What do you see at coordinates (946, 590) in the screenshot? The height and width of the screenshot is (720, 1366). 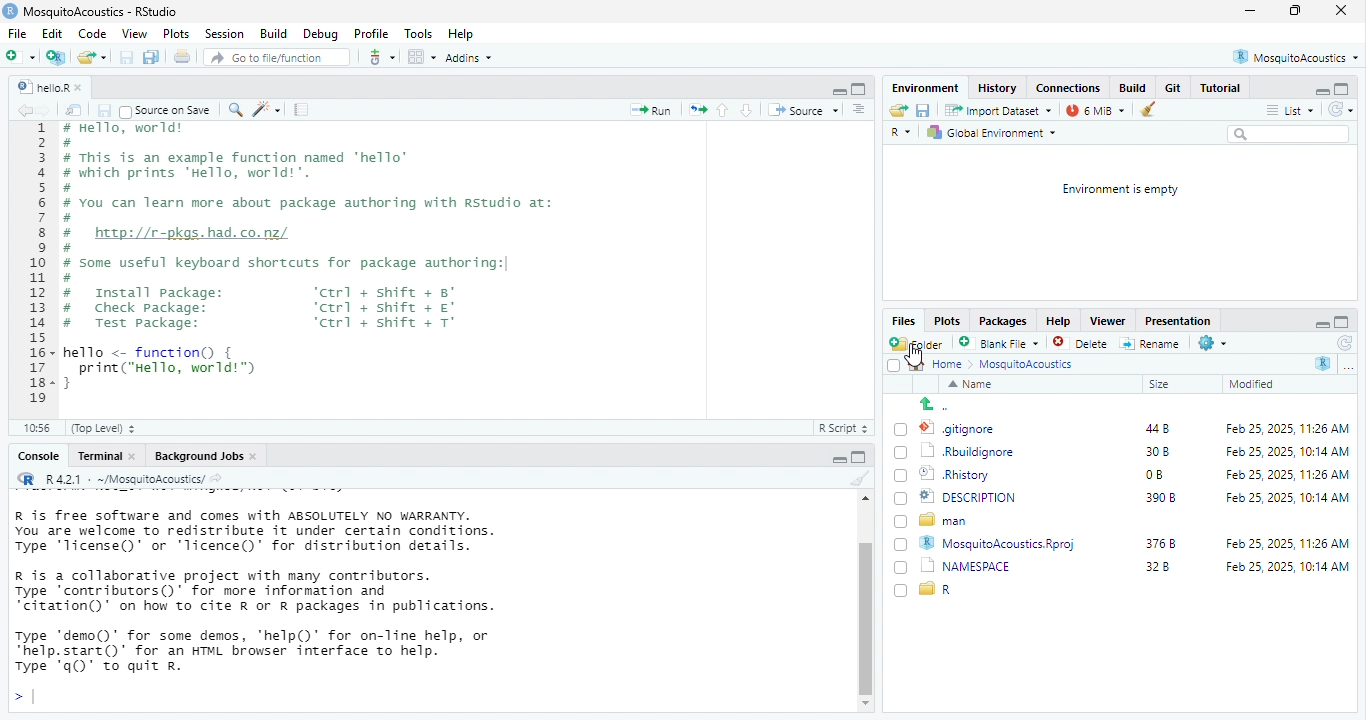 I see `r` at bounding box center [946, 590].